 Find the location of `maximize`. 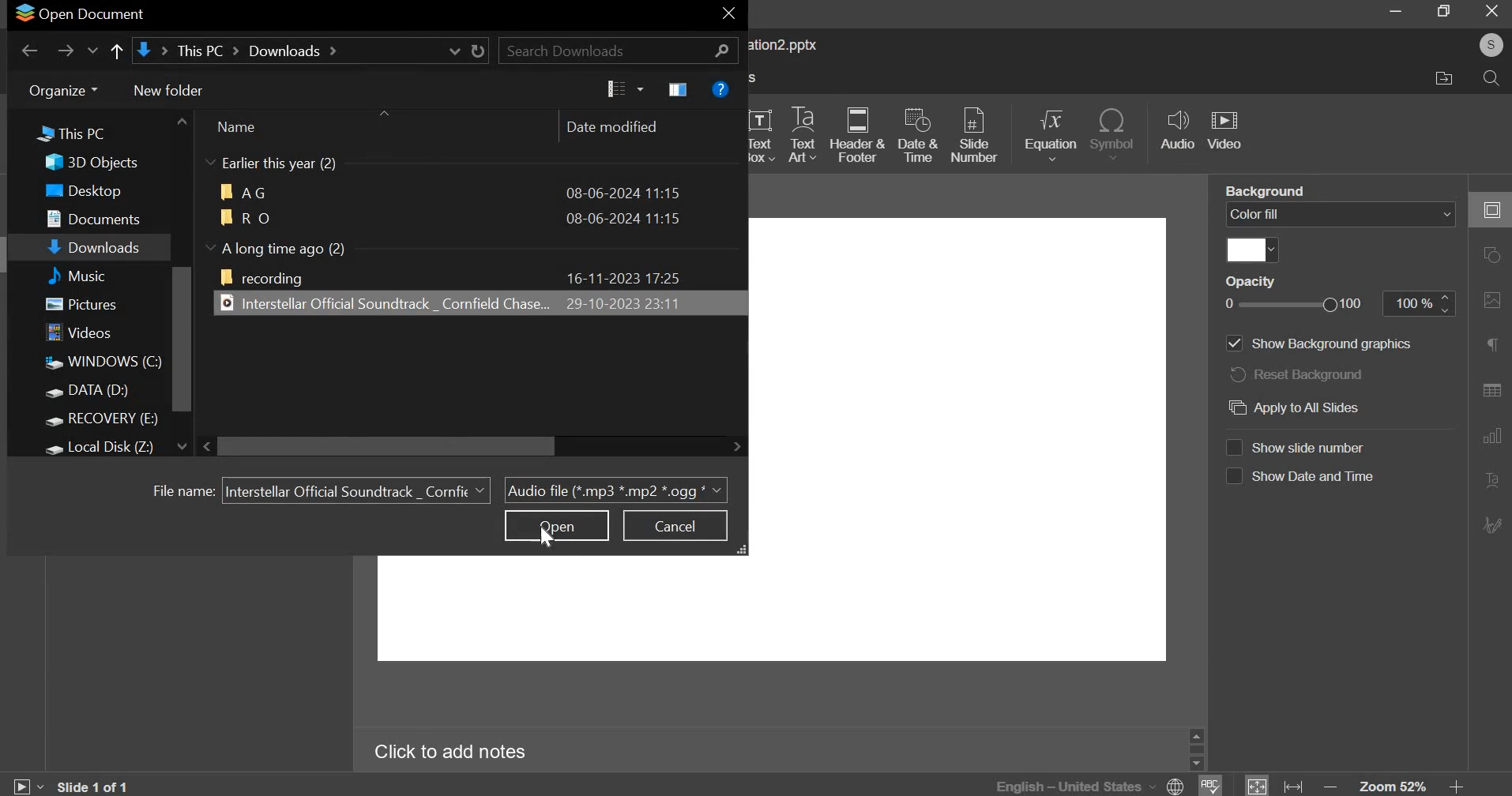

maximize is located at coordinates (1442, 12).